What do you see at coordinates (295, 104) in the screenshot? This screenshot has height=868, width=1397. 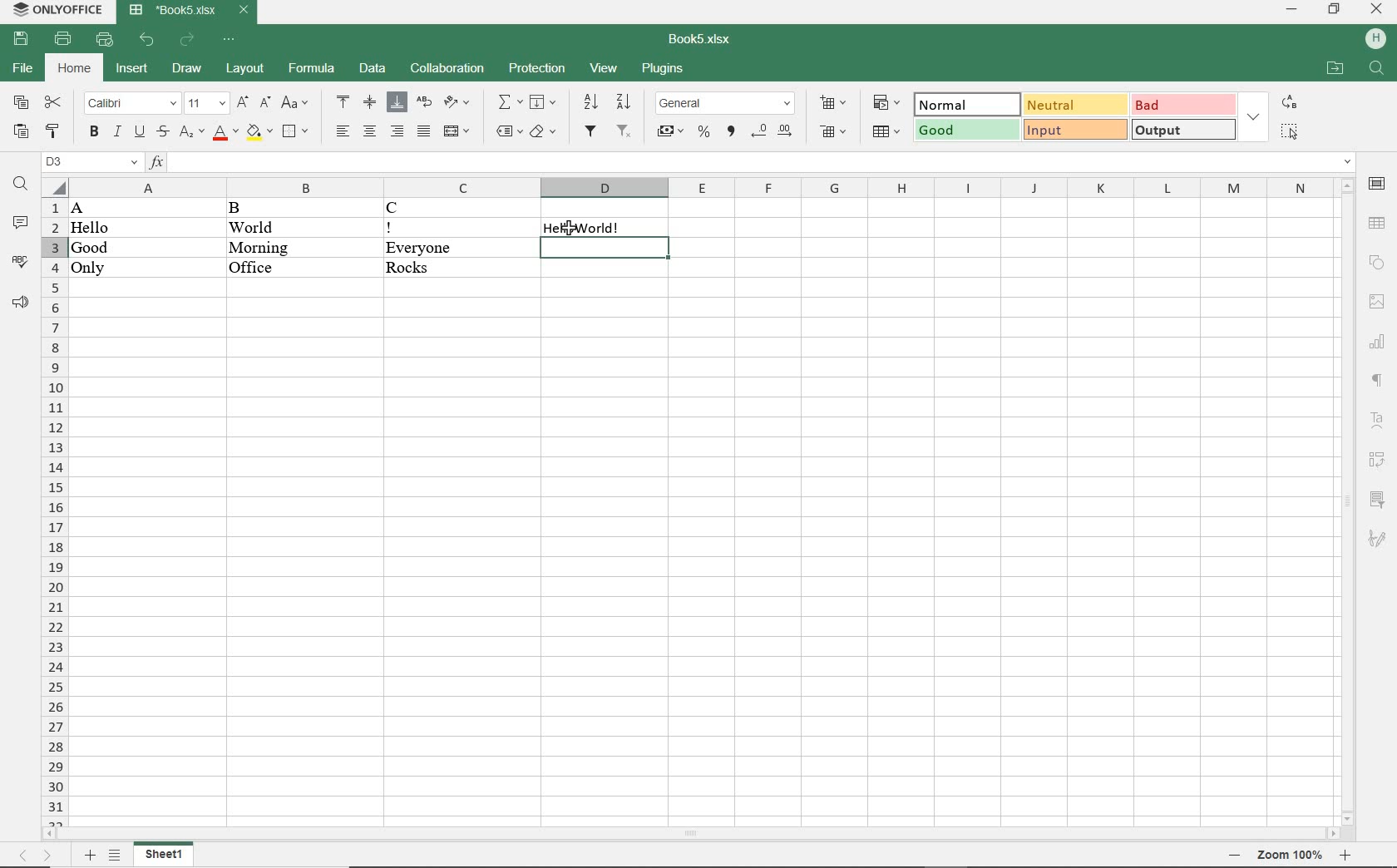 I see `CHANGE CASE` at bounding box center [295, 104].